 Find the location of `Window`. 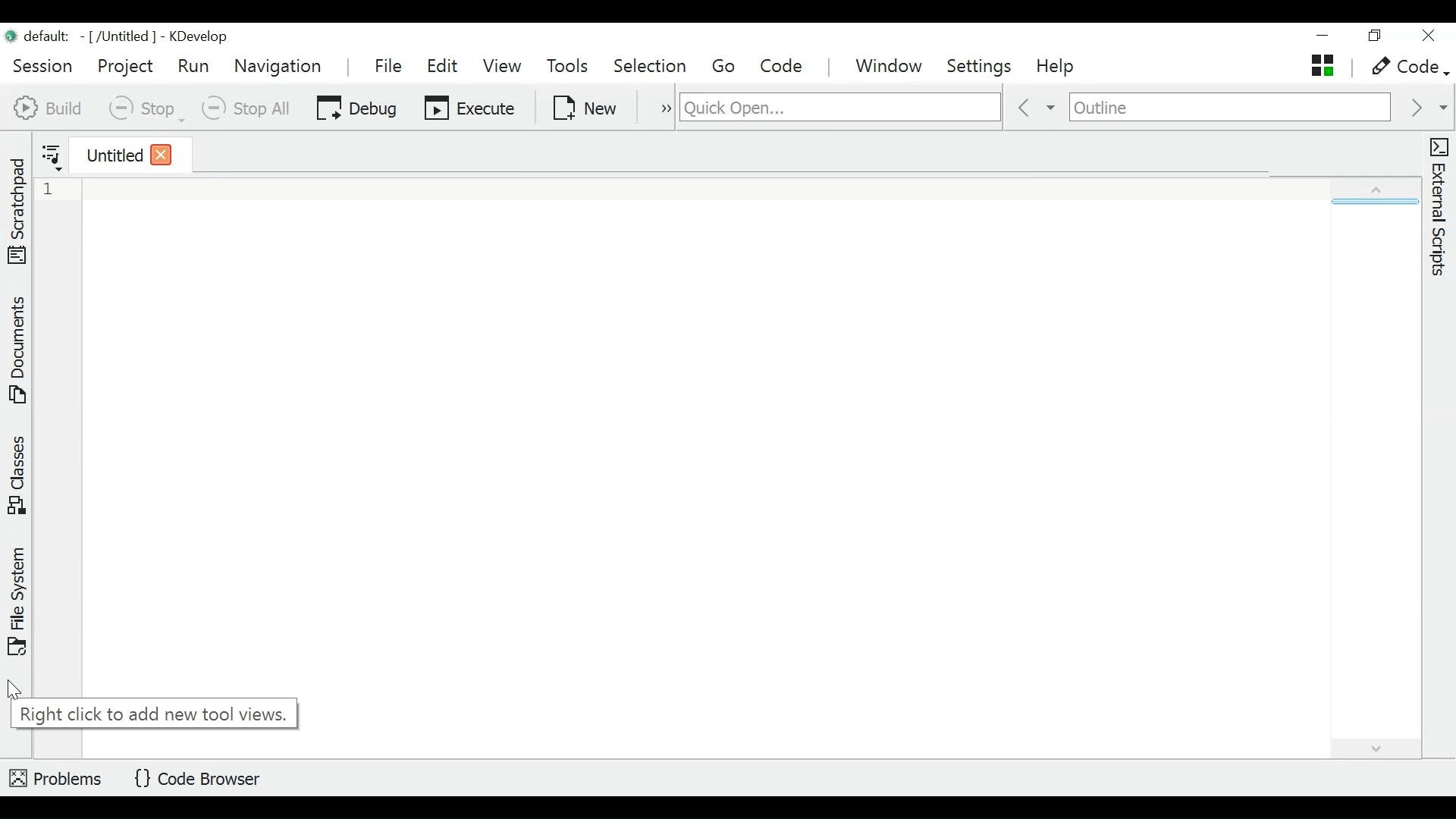

Window is located at coordinates (890, 66).